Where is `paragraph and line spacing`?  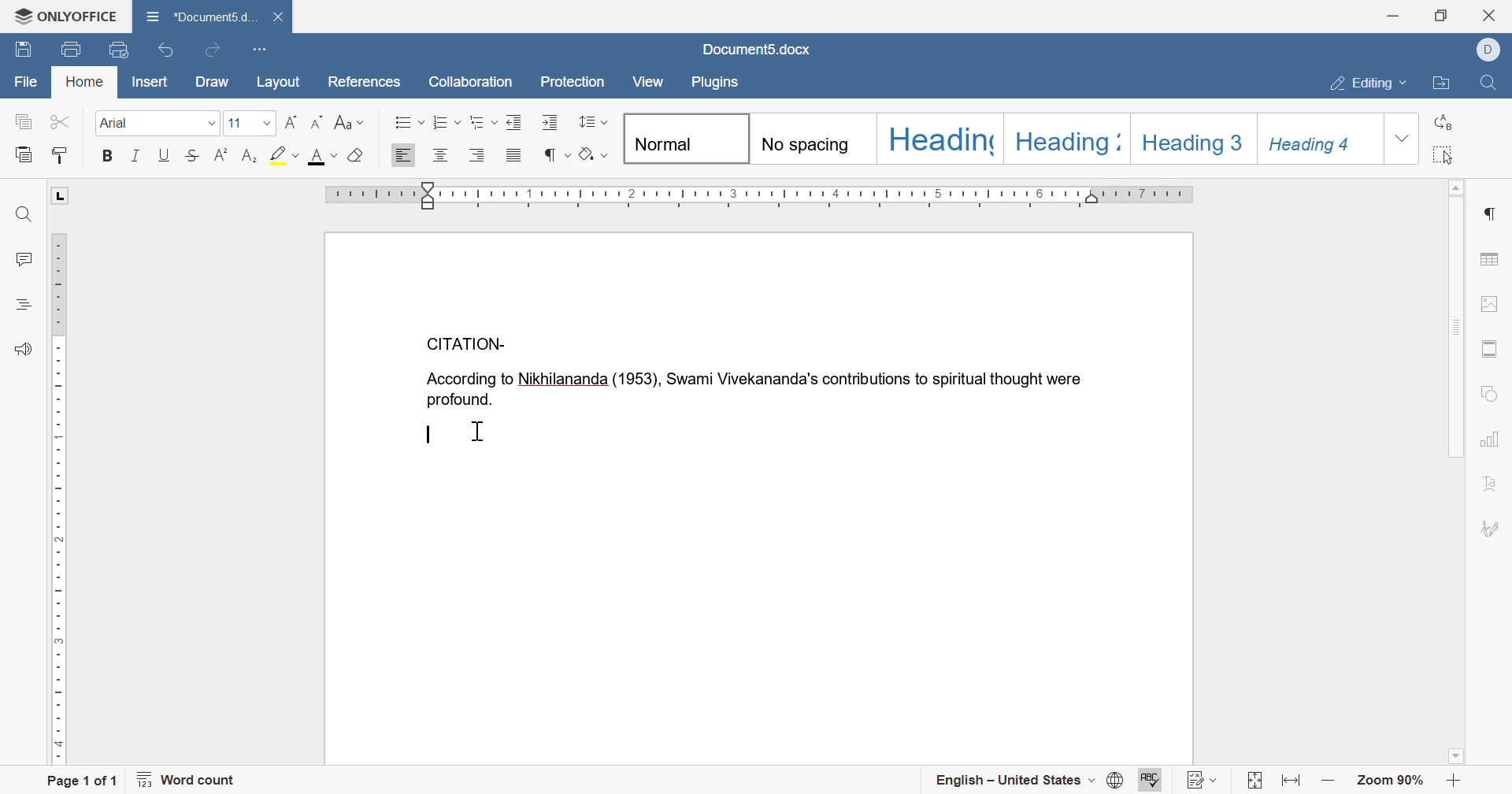
paragraph and line spacing is located at coordinates (593, 121).